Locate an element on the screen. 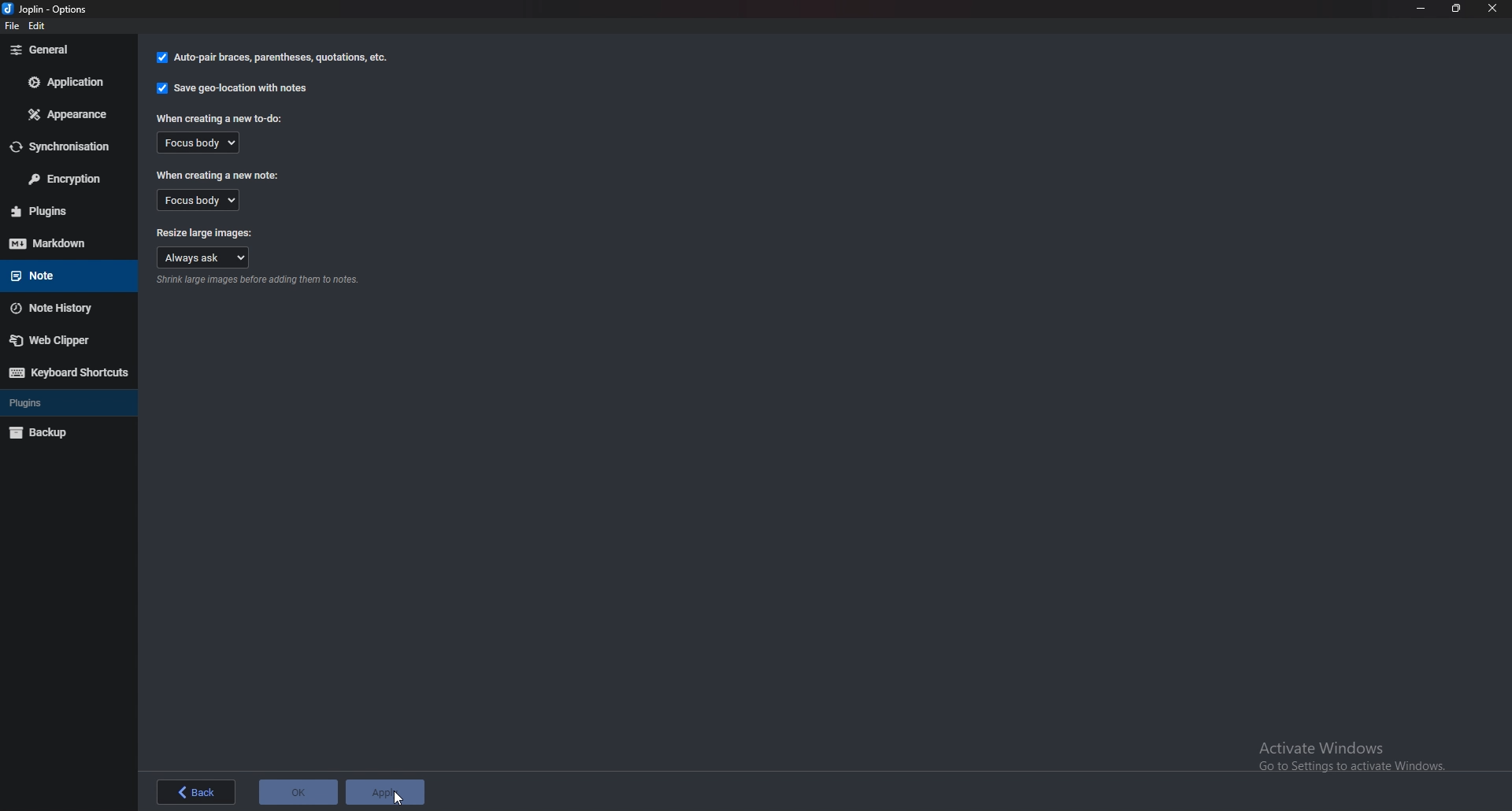  edit is located at coordinates (44, 25).